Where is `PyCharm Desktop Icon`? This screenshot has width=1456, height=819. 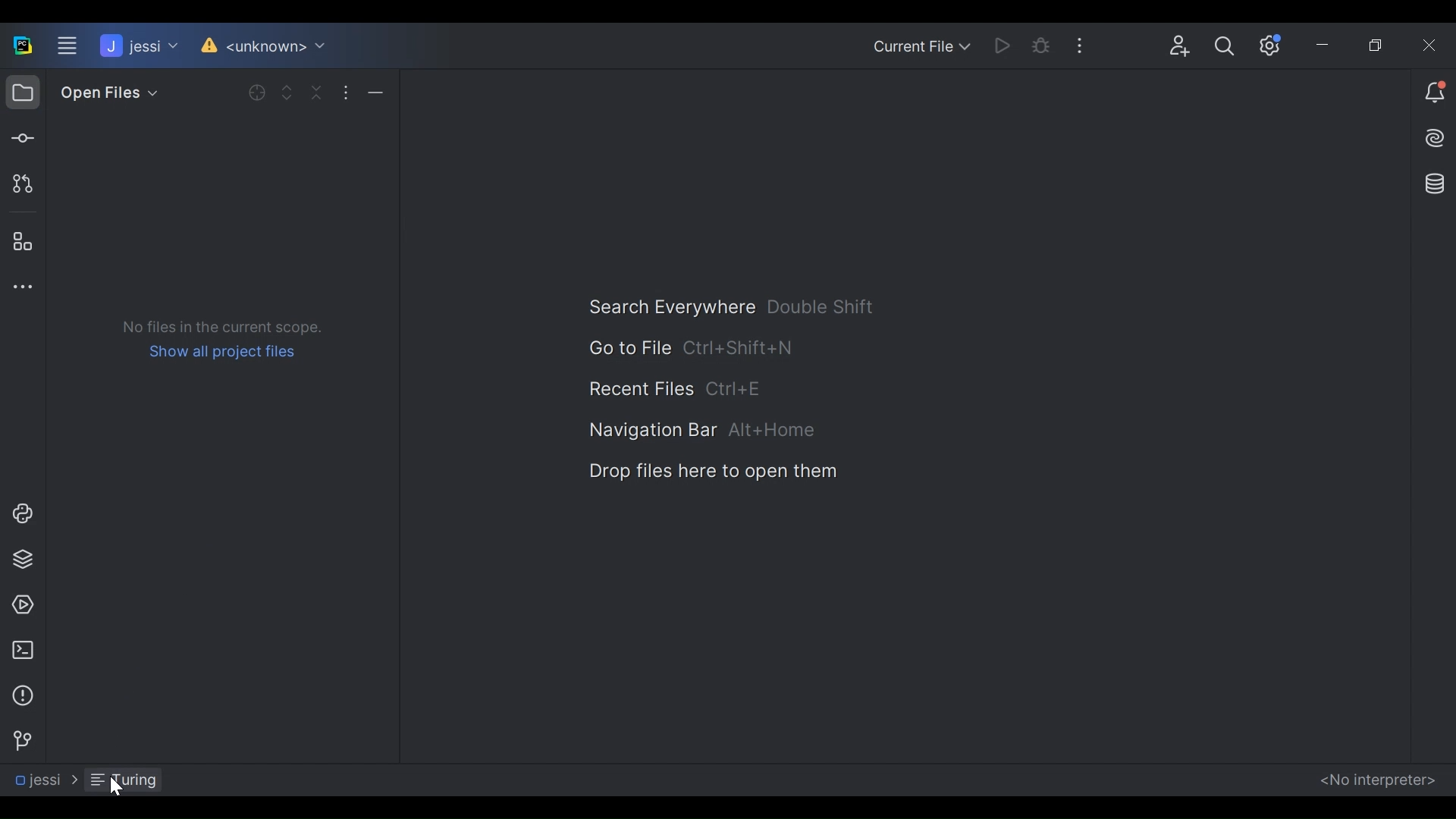
PyCharm Desktop Icon is located at coordinates (23, 47).